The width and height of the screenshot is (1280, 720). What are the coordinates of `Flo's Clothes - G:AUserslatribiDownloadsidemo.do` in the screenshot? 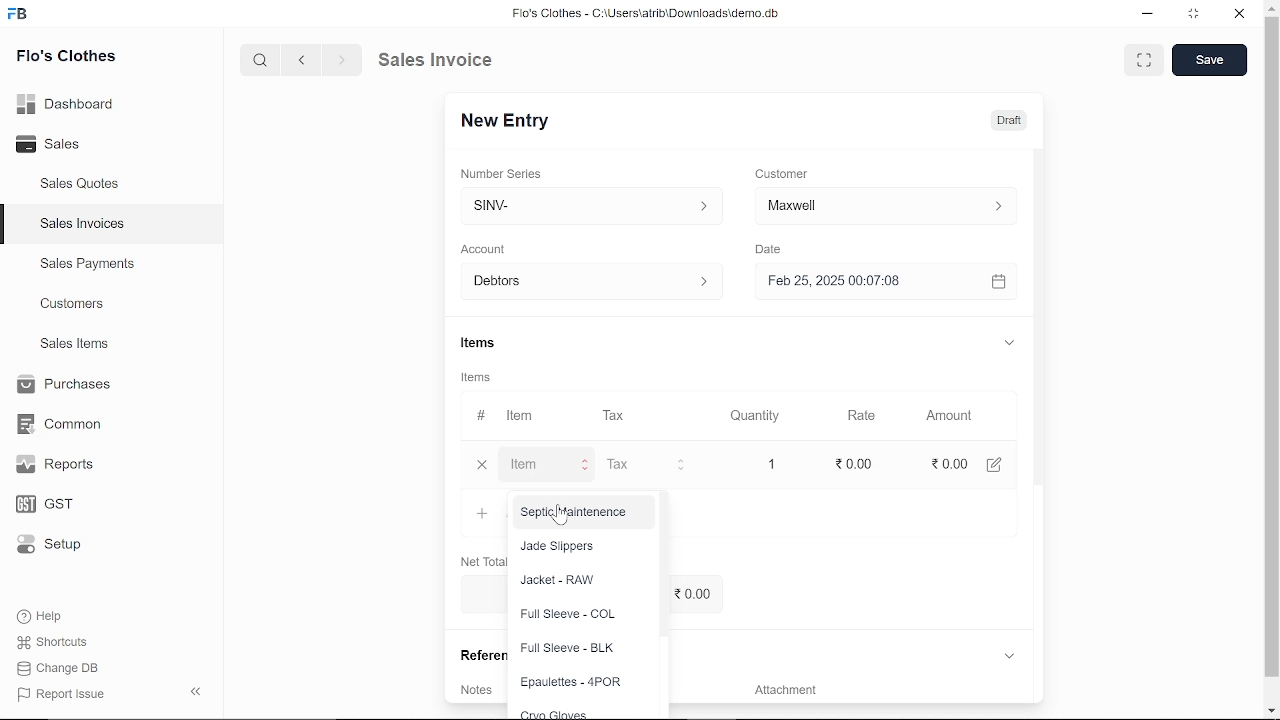 It's located at (651, 13).